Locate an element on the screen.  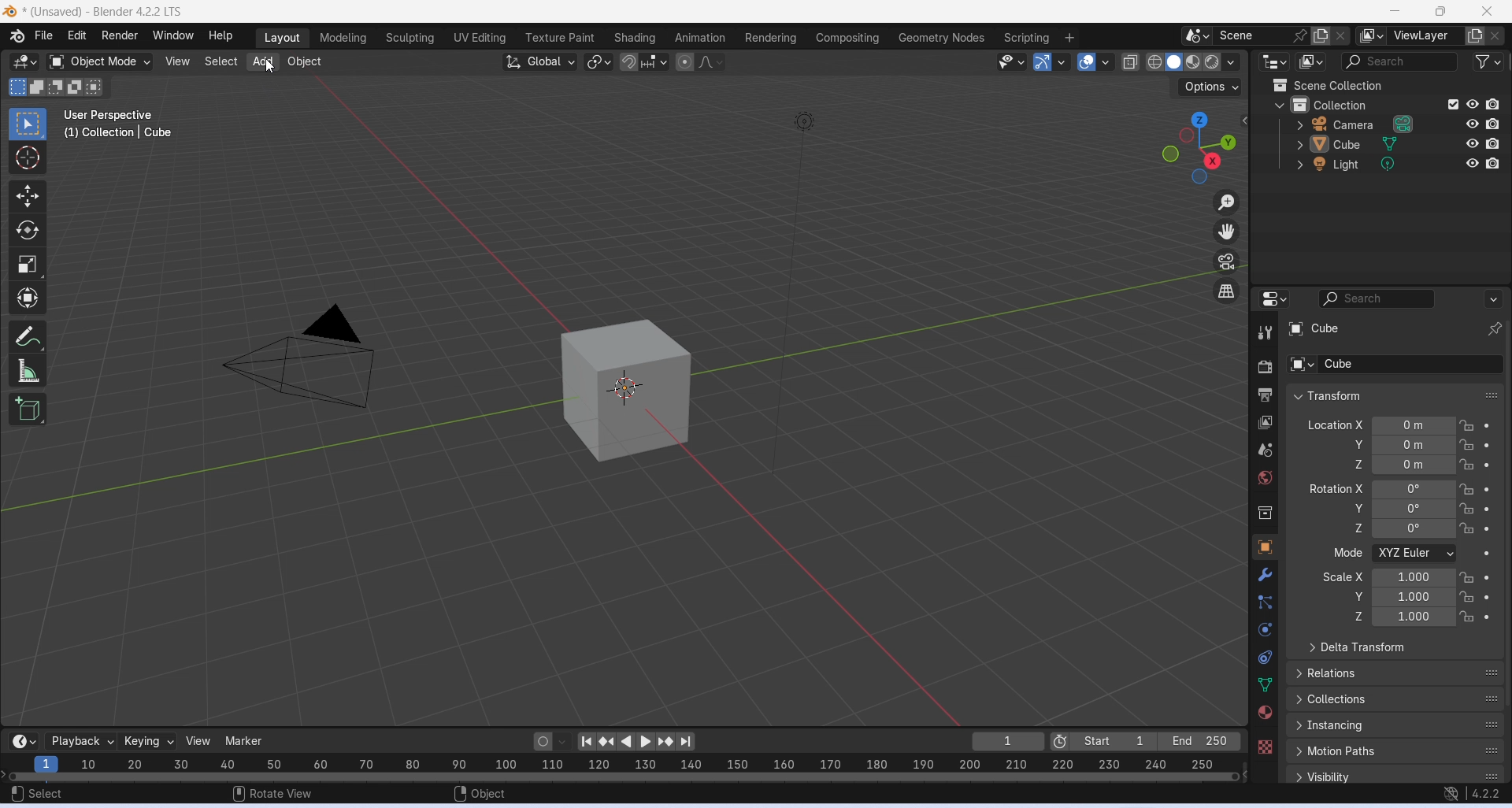
transform is located at coordinates (1395, 395).